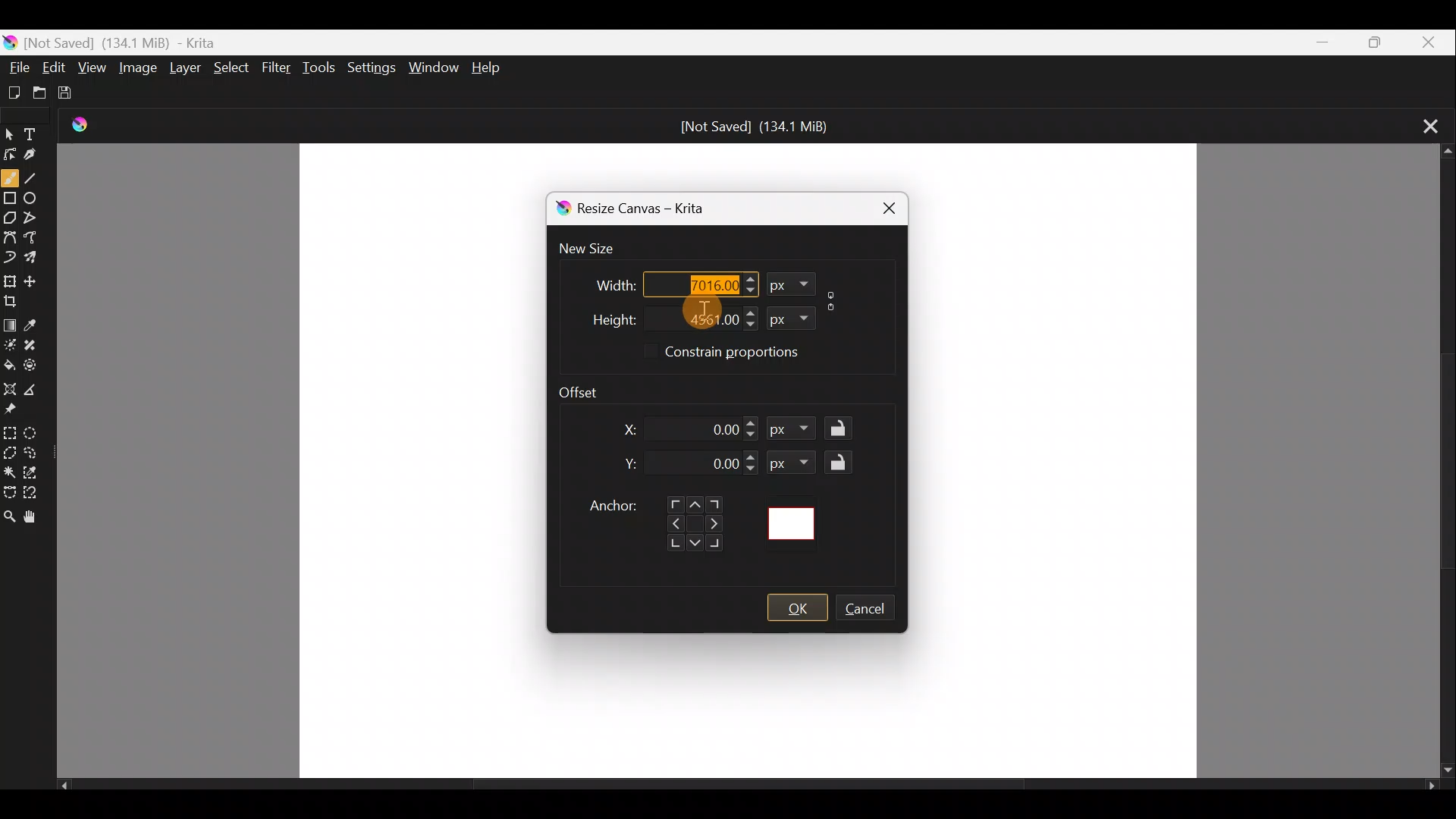 This screenshot has width=1456, height=819. Describe the element at coordinates (17, 64) in the screenshot. I see `File` at that location.